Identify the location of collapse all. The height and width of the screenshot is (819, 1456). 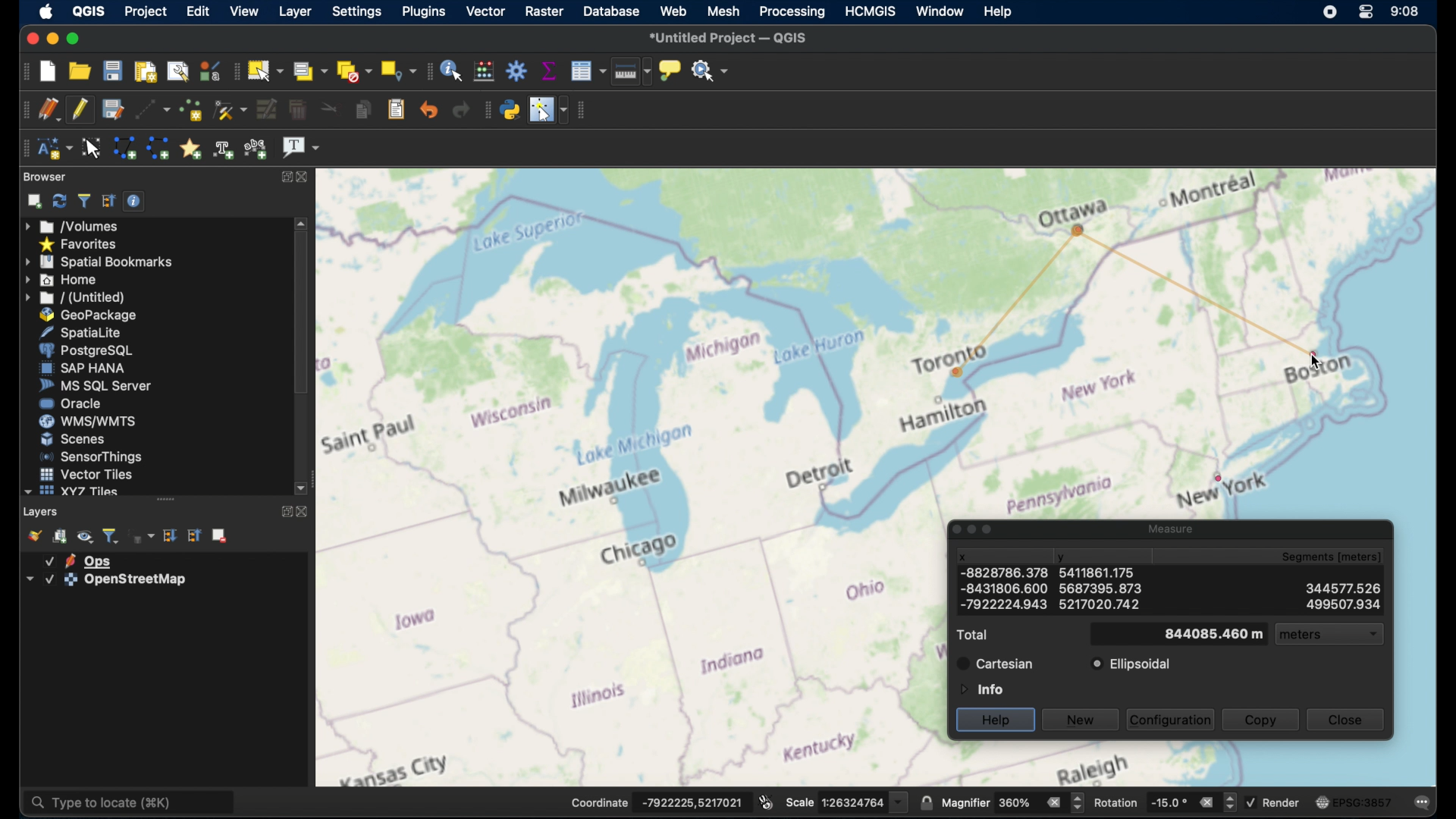
(194, 535).